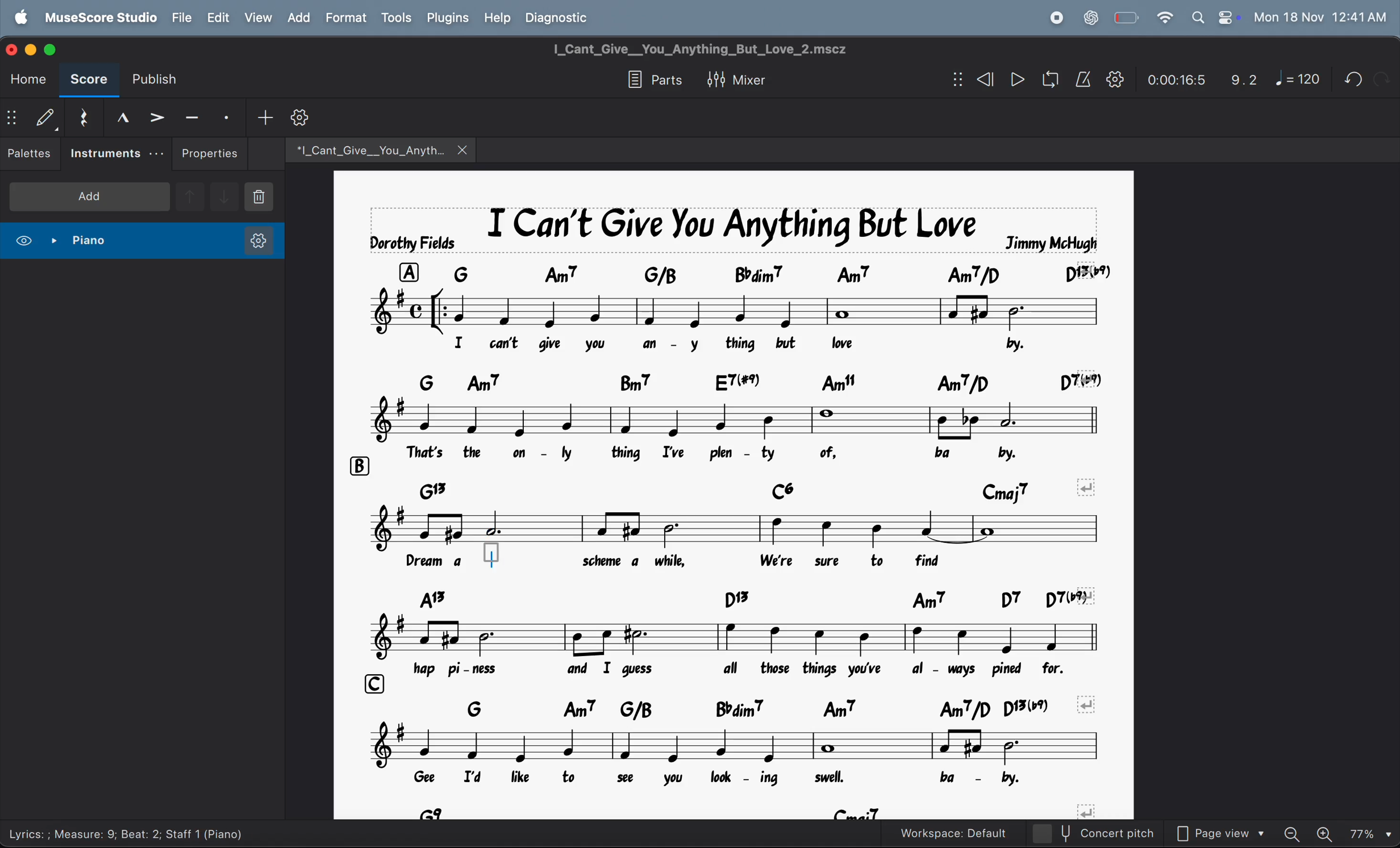 This screenshot has height=848, width=1400. I want to click on notes, so click(742, 638).